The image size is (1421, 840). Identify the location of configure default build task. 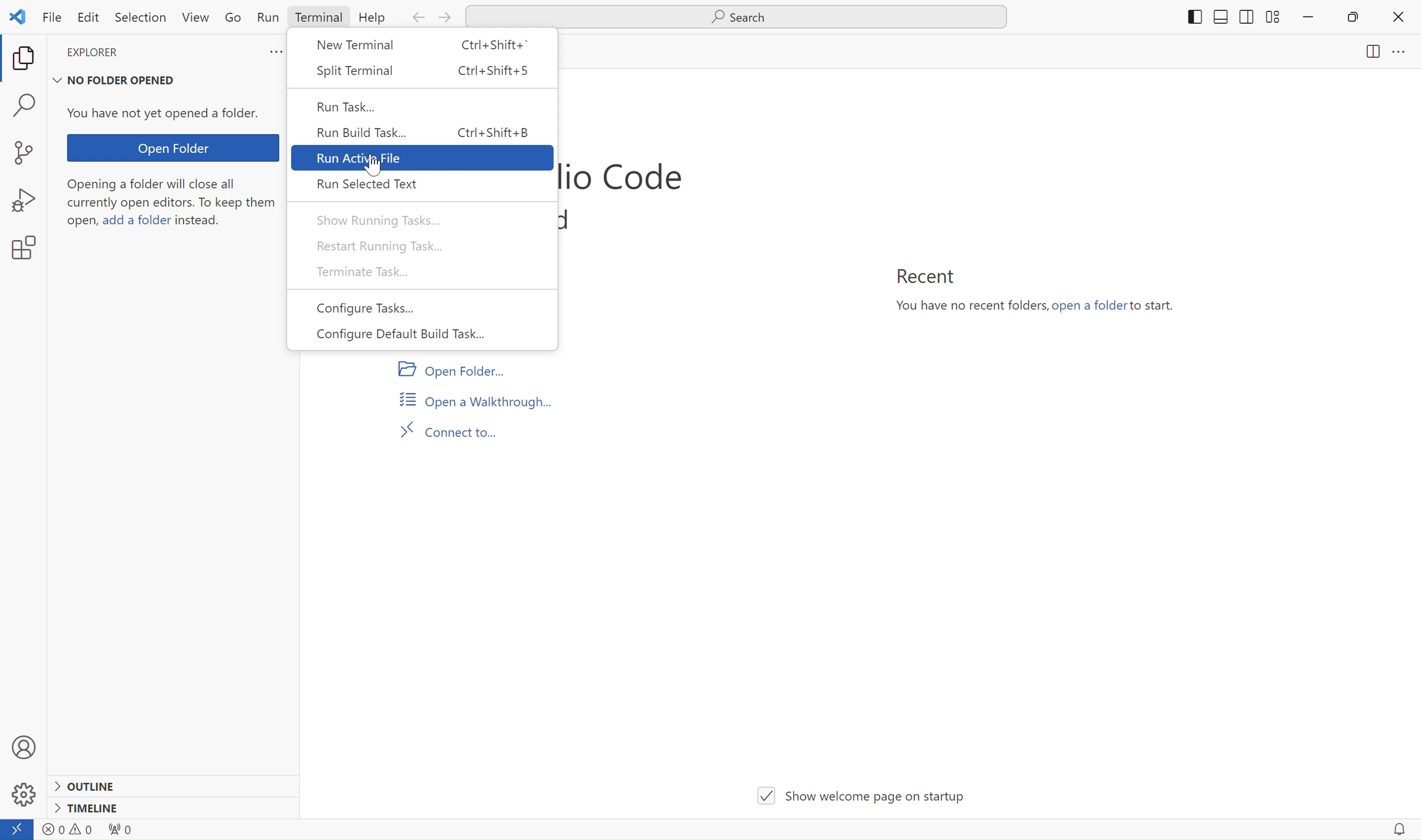
(423, 335).